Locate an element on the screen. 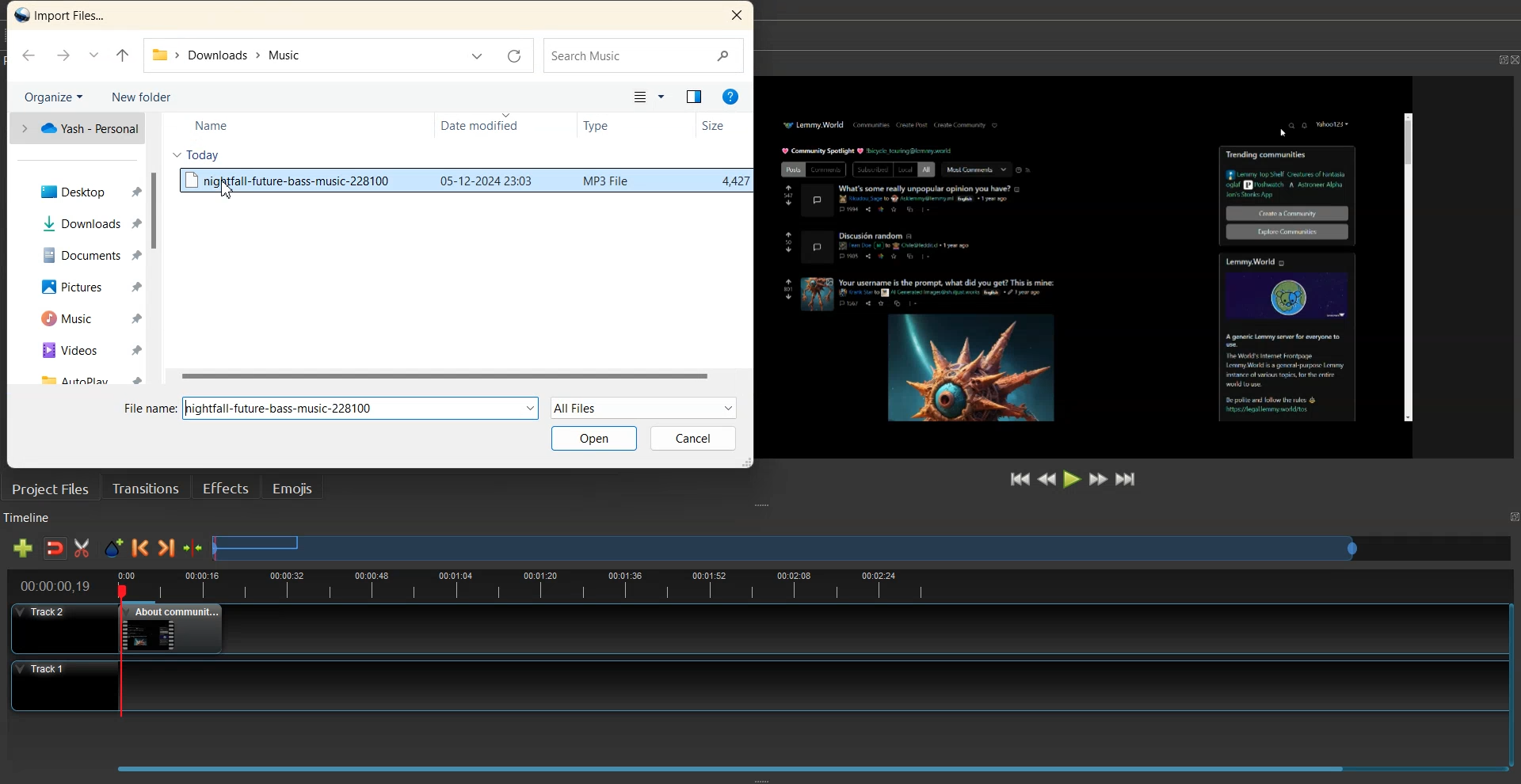 The image size is (1521, 784). Open is located at coordinates (595, 439).